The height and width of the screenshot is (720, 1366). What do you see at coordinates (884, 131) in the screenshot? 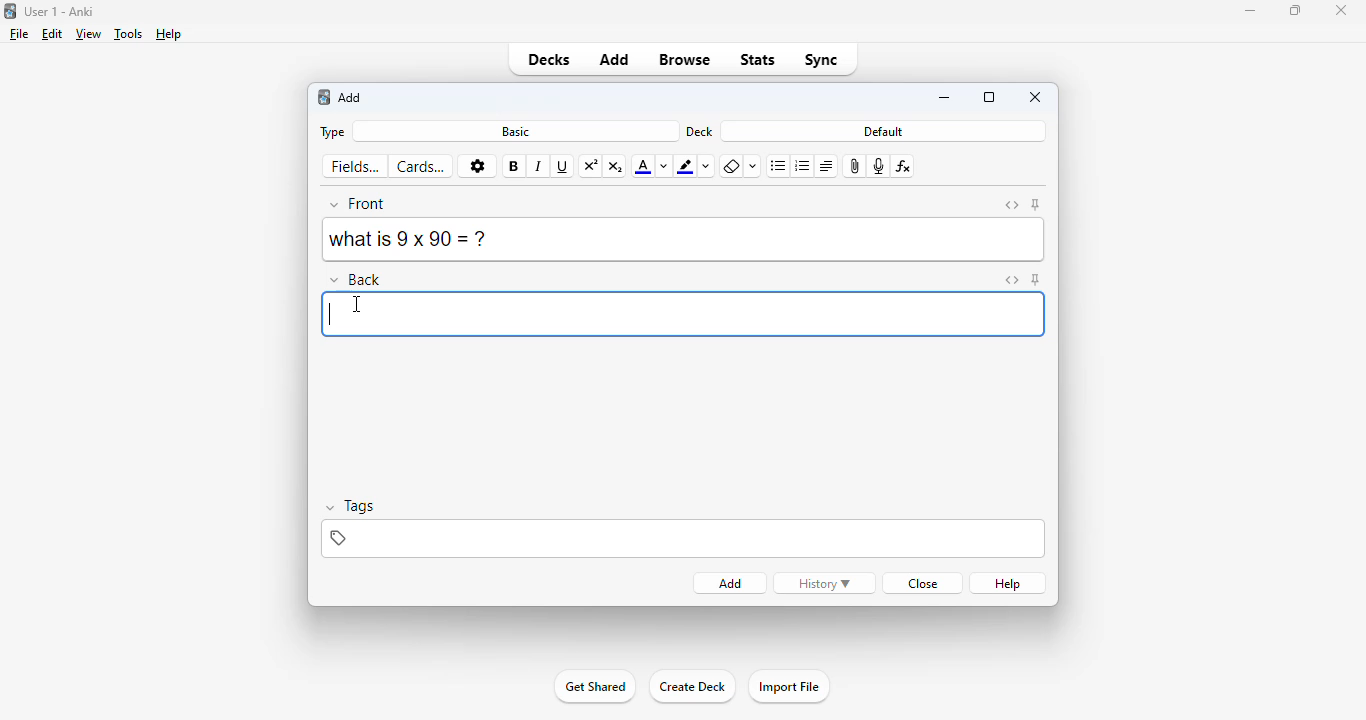
I see `default` at bounding box center [884, 131].